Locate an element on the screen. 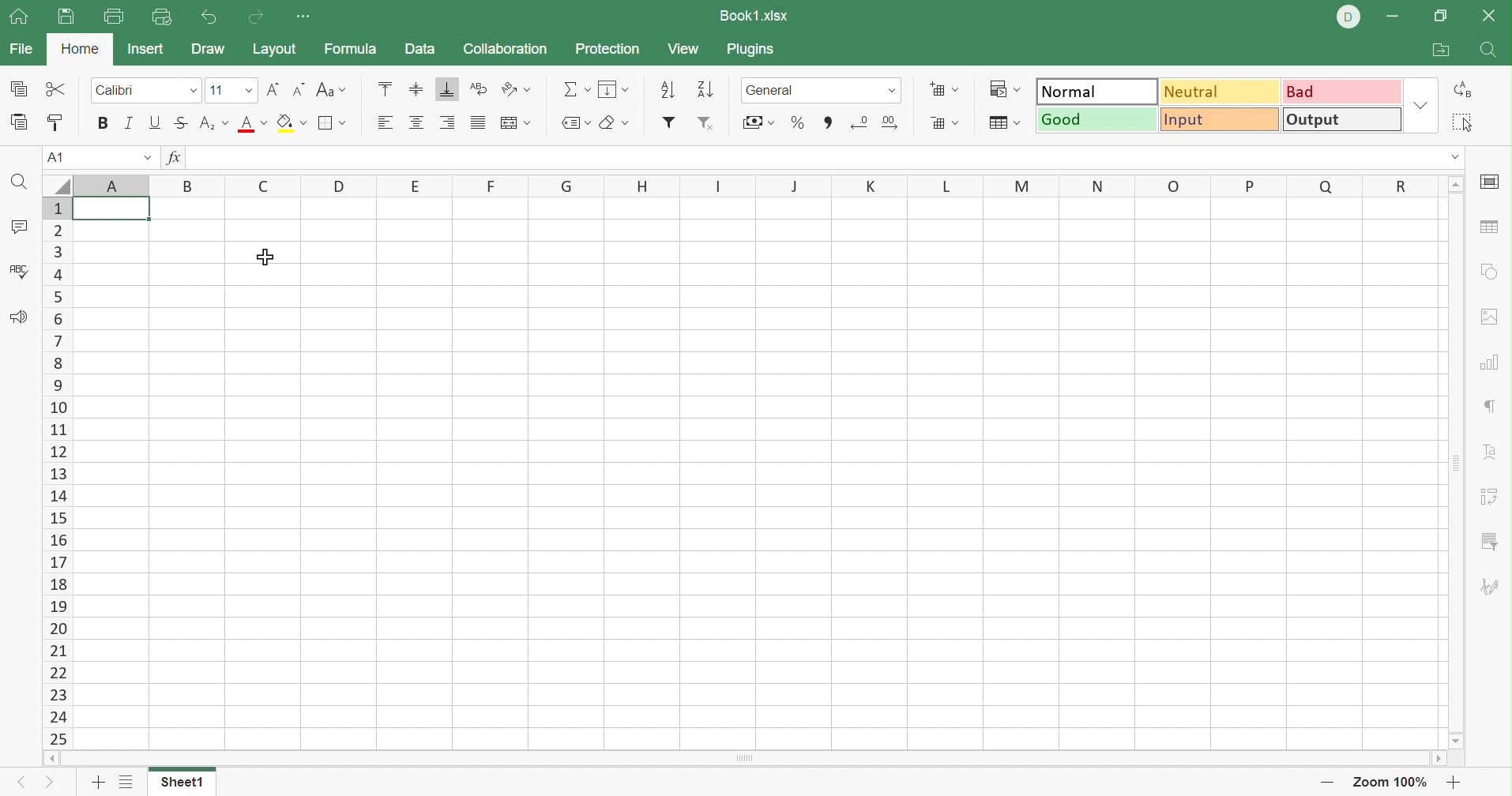 The height and width of the screenshot is (796, 1512). A1 is located at coordinates (56, 159).